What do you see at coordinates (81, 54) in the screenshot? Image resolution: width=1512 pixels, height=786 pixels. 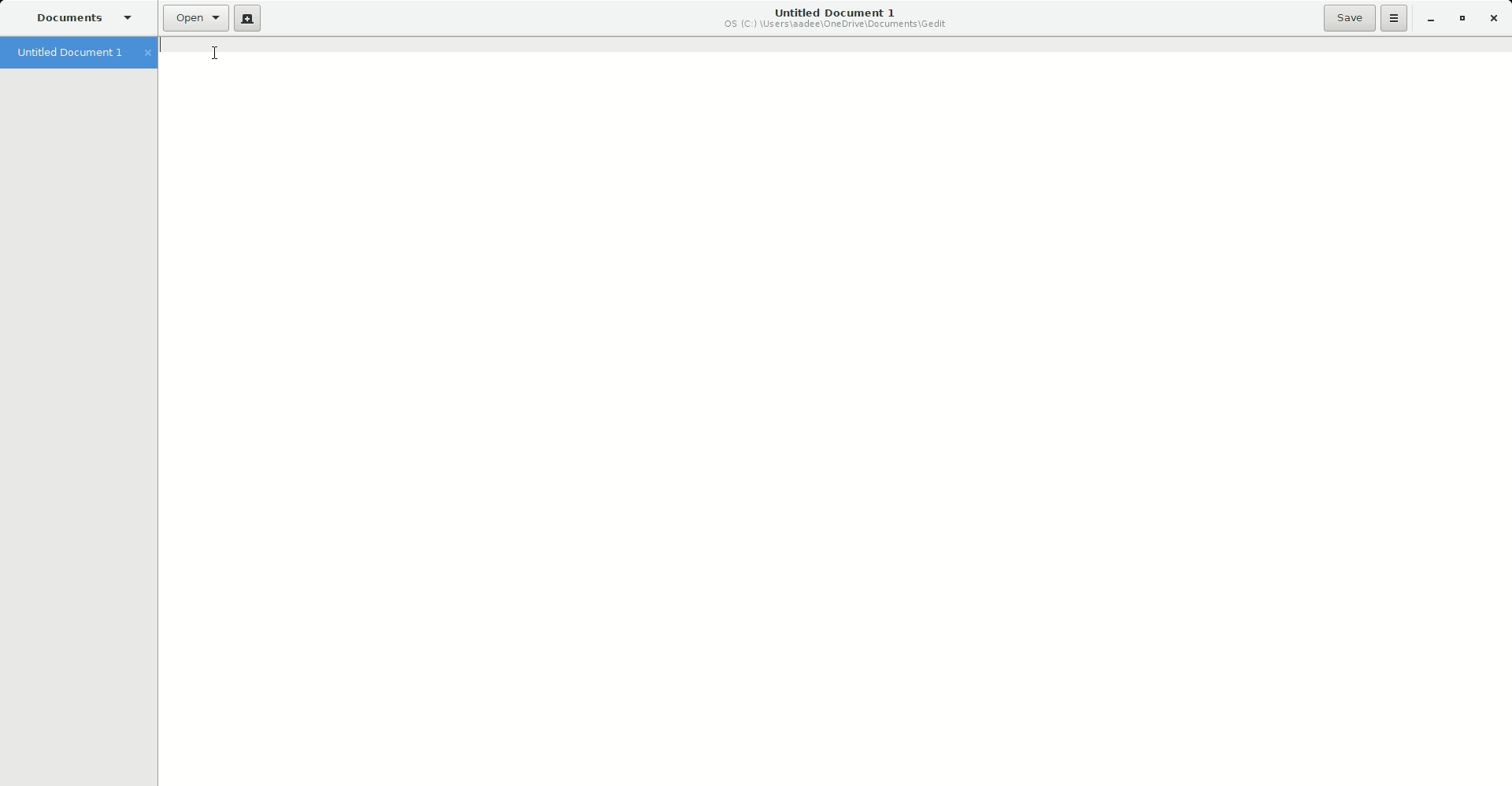 I see `Untitled Document 1` at bounding box center [81, 54].